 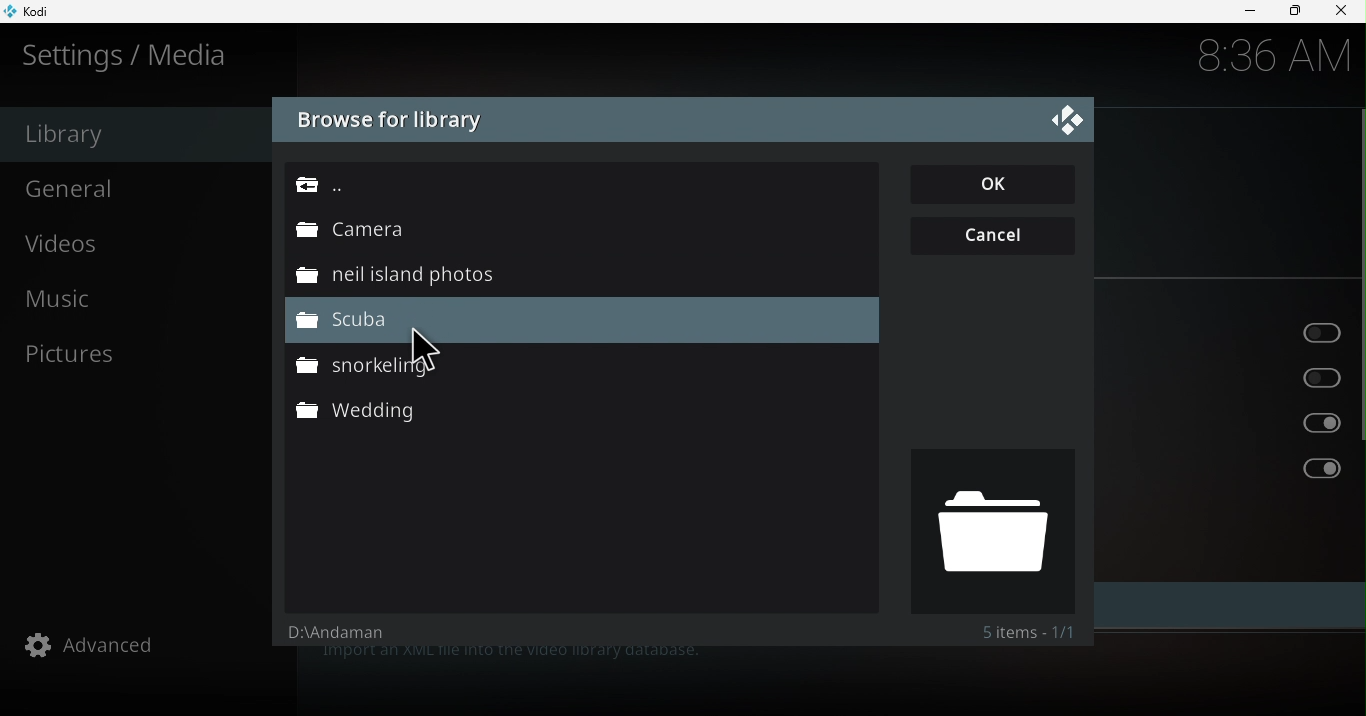 What do you see at coordinates (138, 303) in the screenshot?
I see `Music` at bounding box center [138, 303].